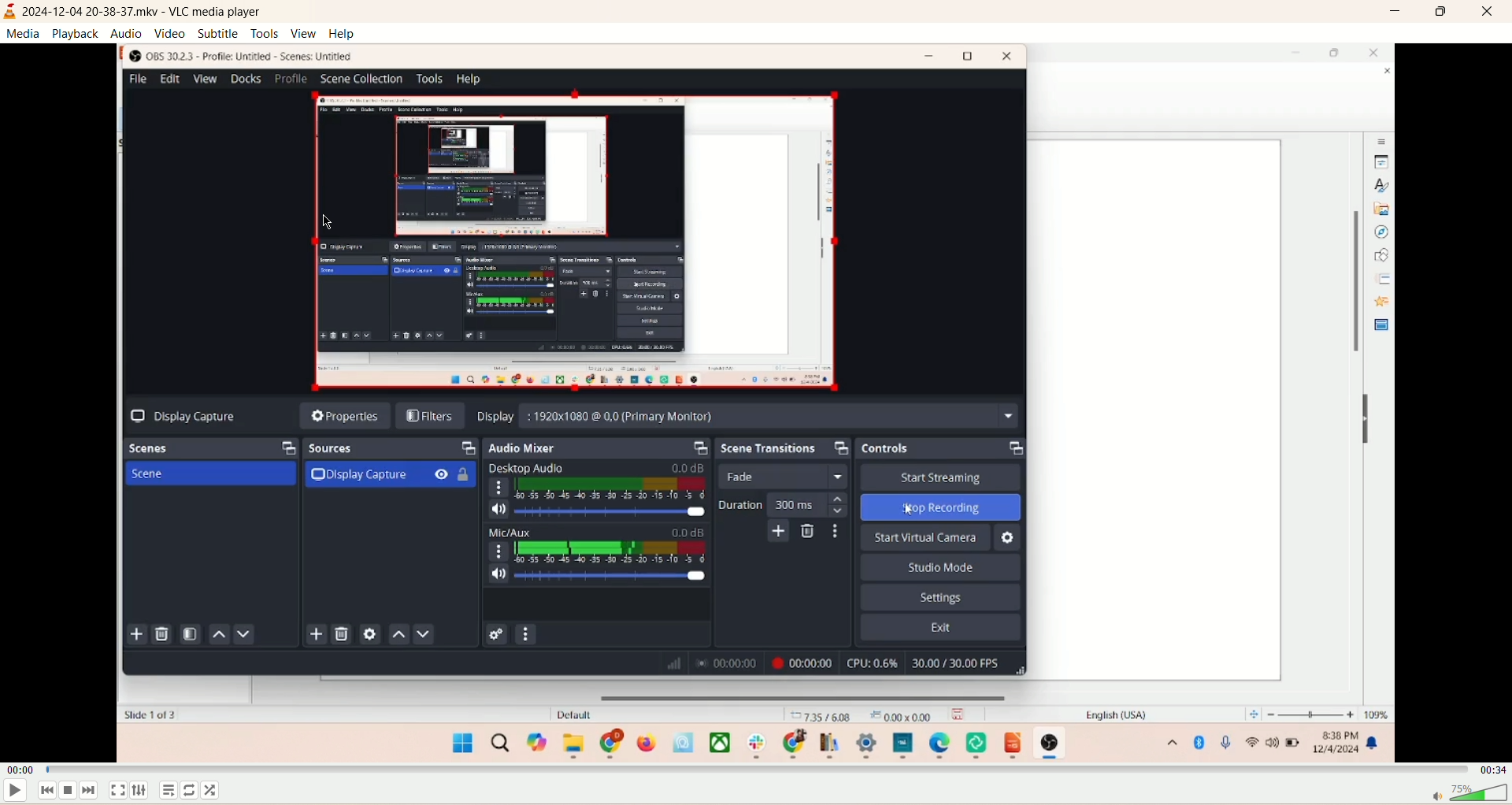  I want to click on main screen, so click(756, 401).